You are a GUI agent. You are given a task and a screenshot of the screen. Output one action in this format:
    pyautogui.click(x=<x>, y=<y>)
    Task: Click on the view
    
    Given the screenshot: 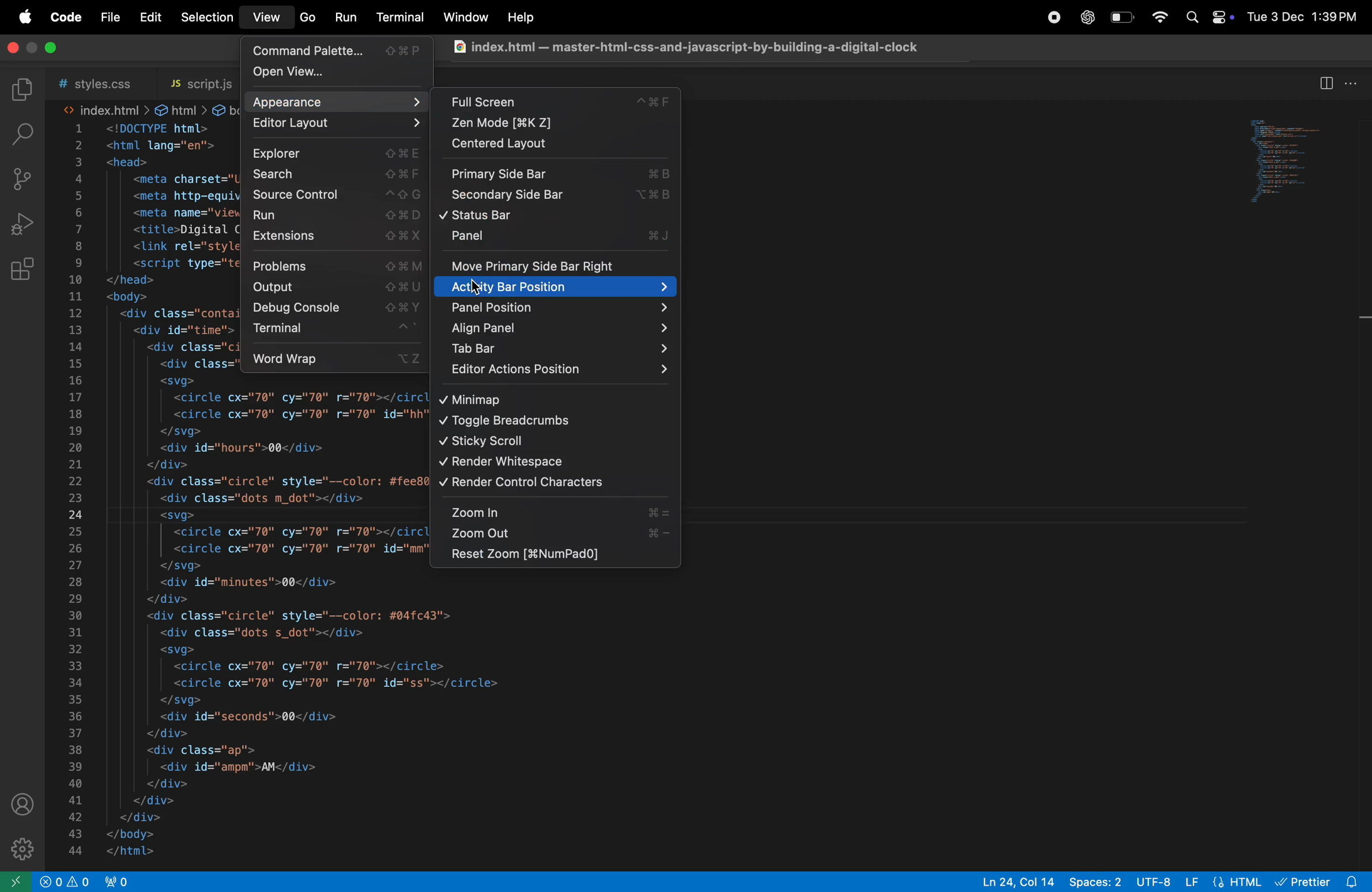 What is the action you would take?
    pyautogui.click(x=267, y=17)
    